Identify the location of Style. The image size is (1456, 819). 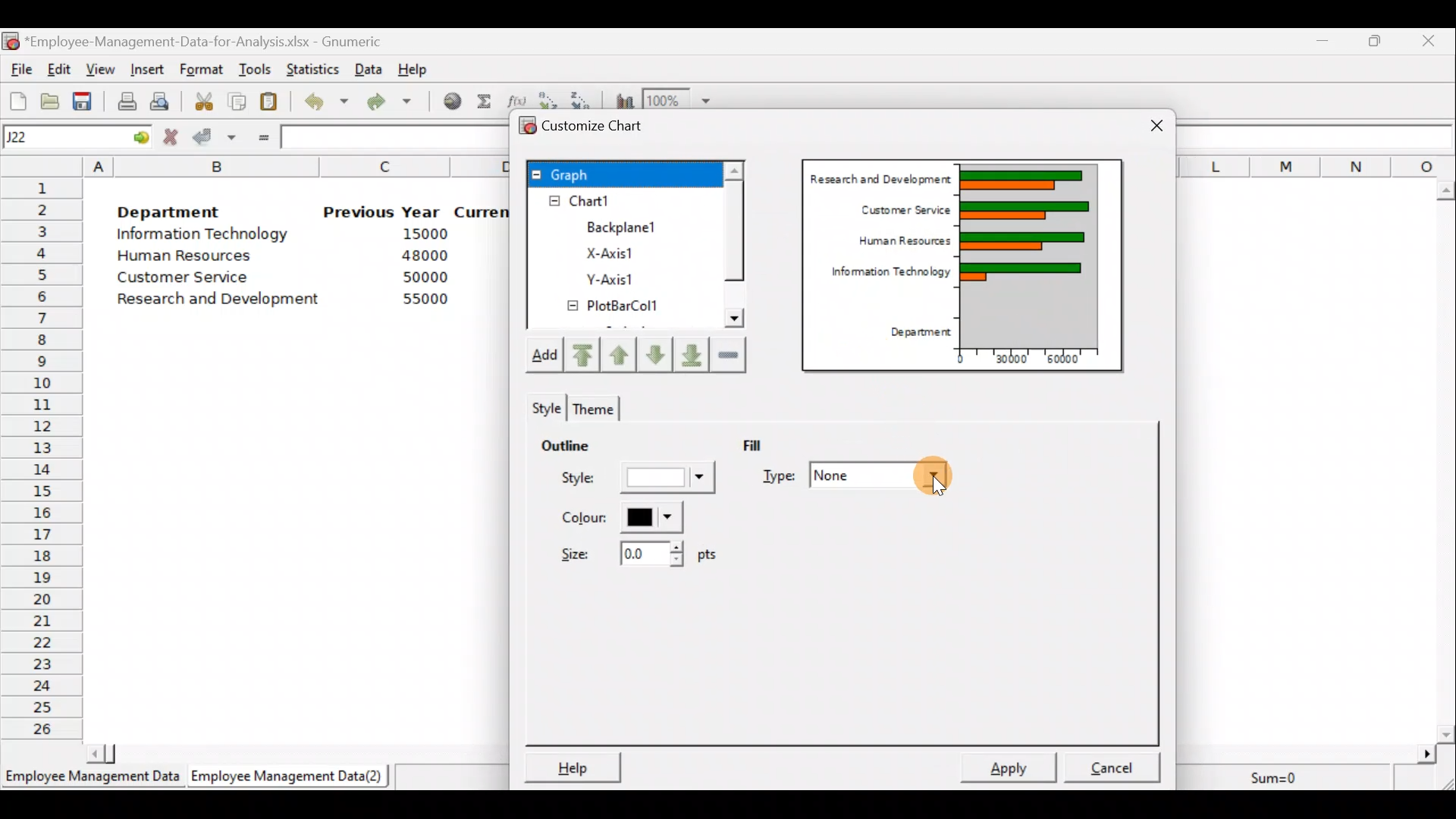
(633, 481).